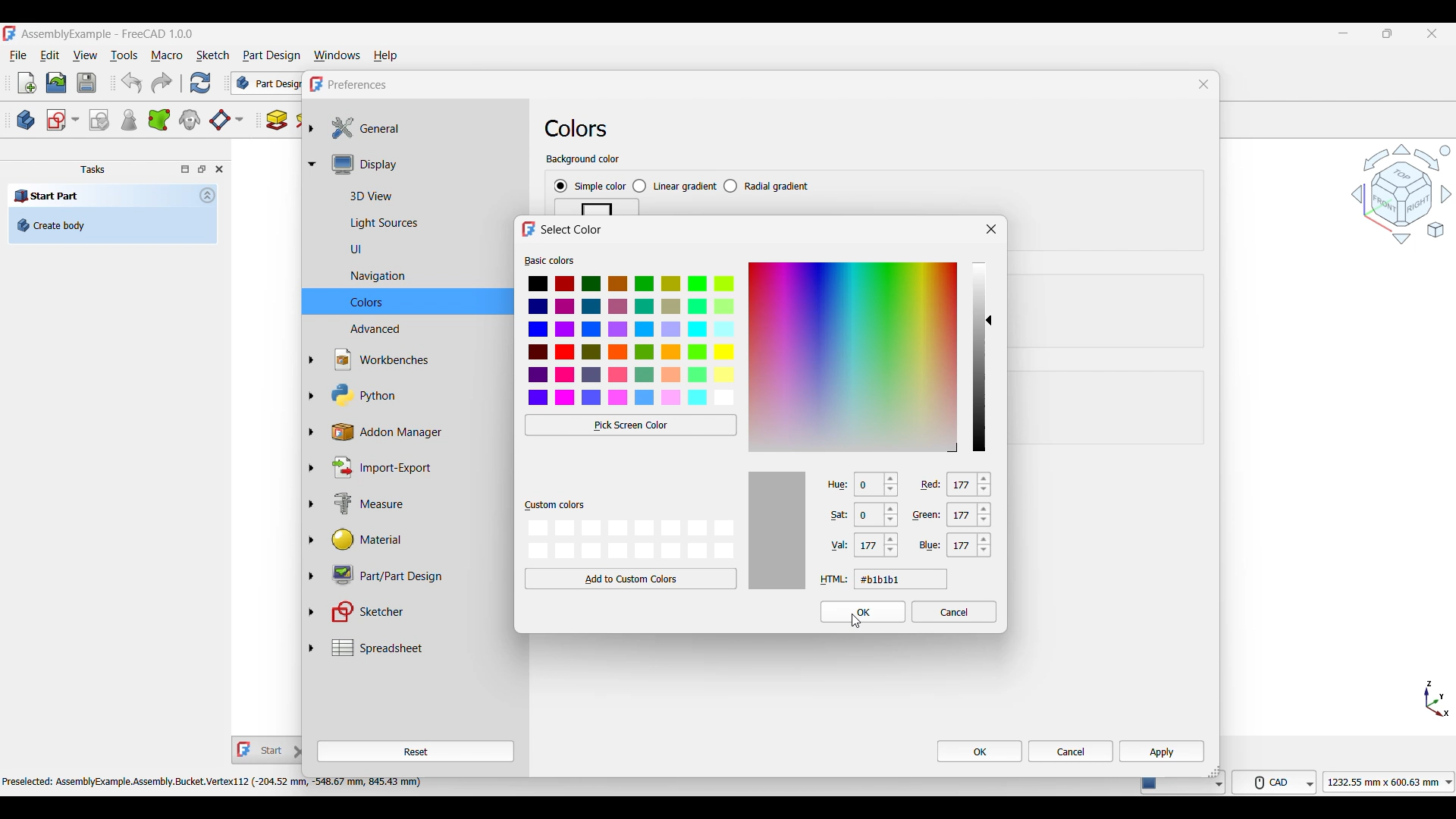 This screenshot has height=819, width=1456. Describe the element at coordinates (971, 518) in the screenshot. I see `255` at that location.